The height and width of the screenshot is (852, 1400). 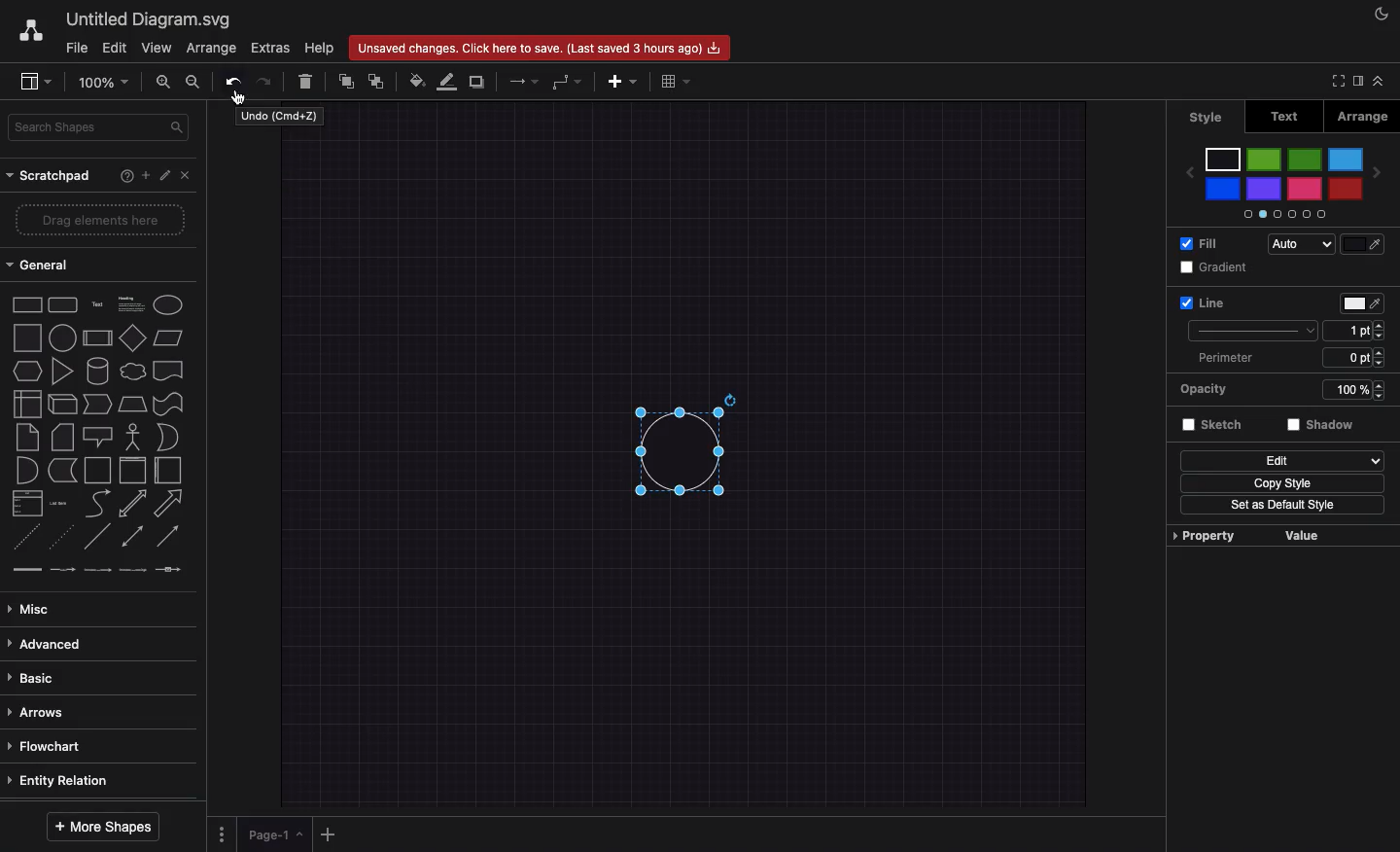 What do you see at coordinates (48, 644) in the screenshot?
I see `Advanced` at bounding box center [48, 644].